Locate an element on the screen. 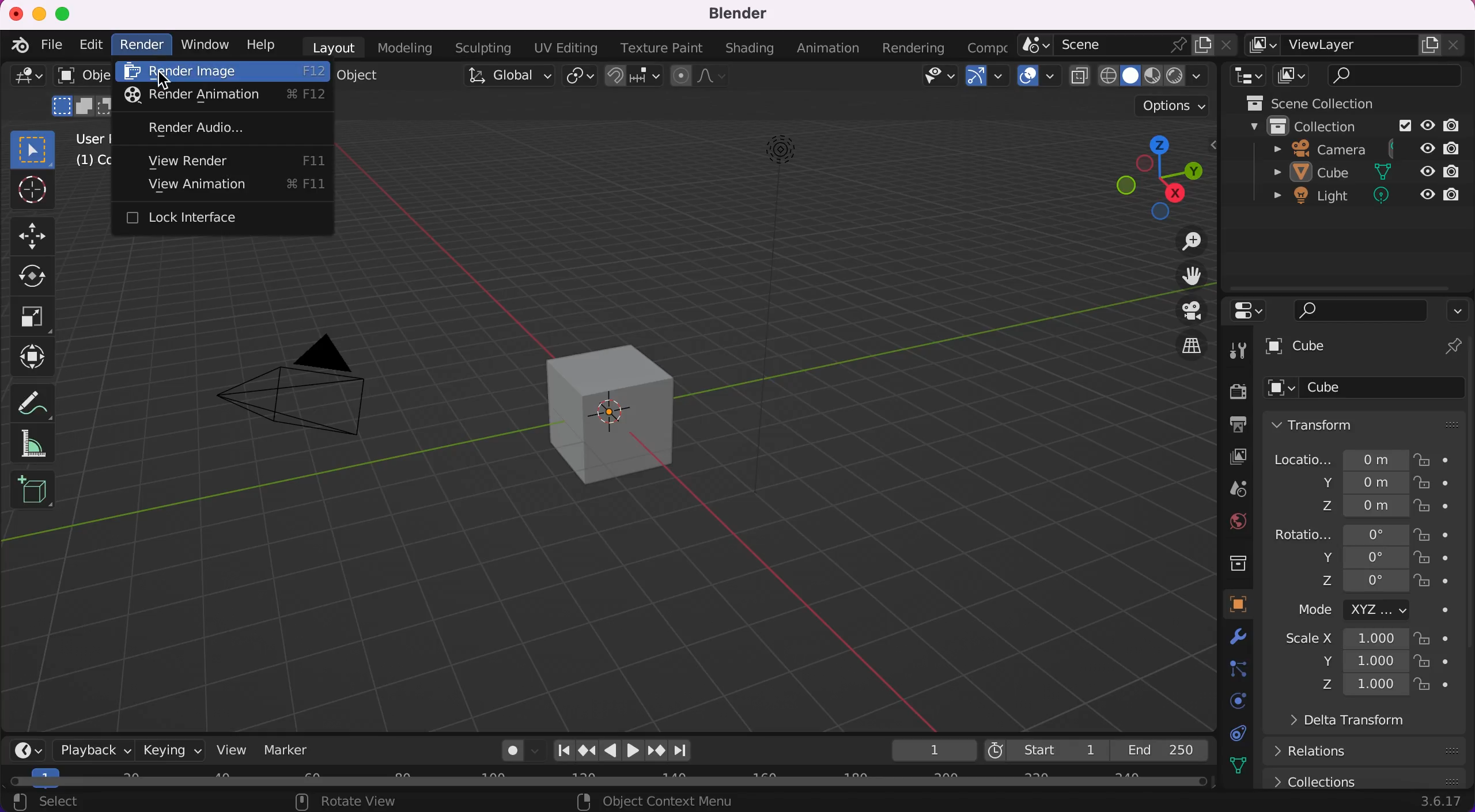 The width and height of the screenshot is (1475, 812). overlays is located at coordinates (1039, 80).